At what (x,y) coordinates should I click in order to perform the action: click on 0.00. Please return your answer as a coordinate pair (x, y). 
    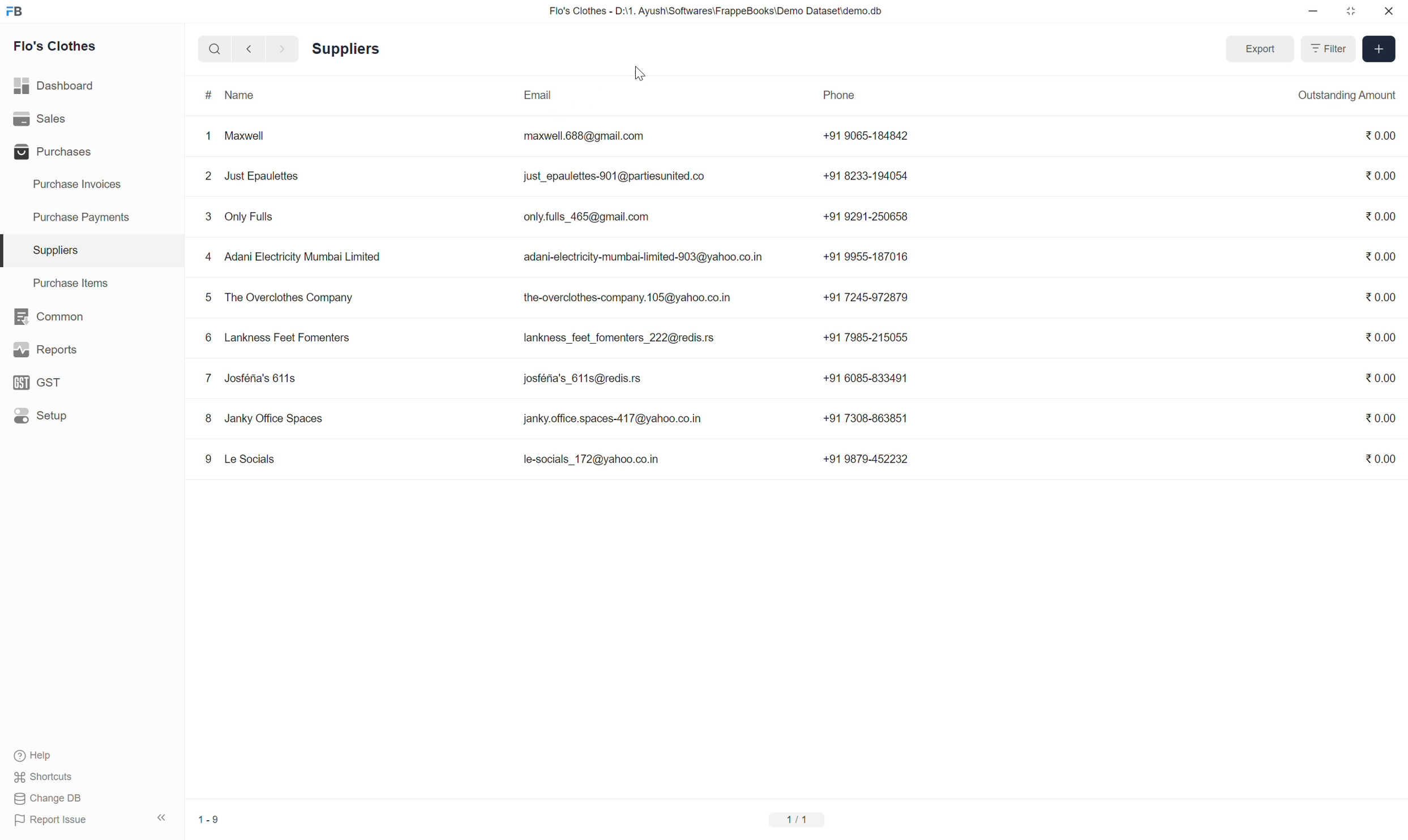
    Looking at the image, I should click on (1381, 416).